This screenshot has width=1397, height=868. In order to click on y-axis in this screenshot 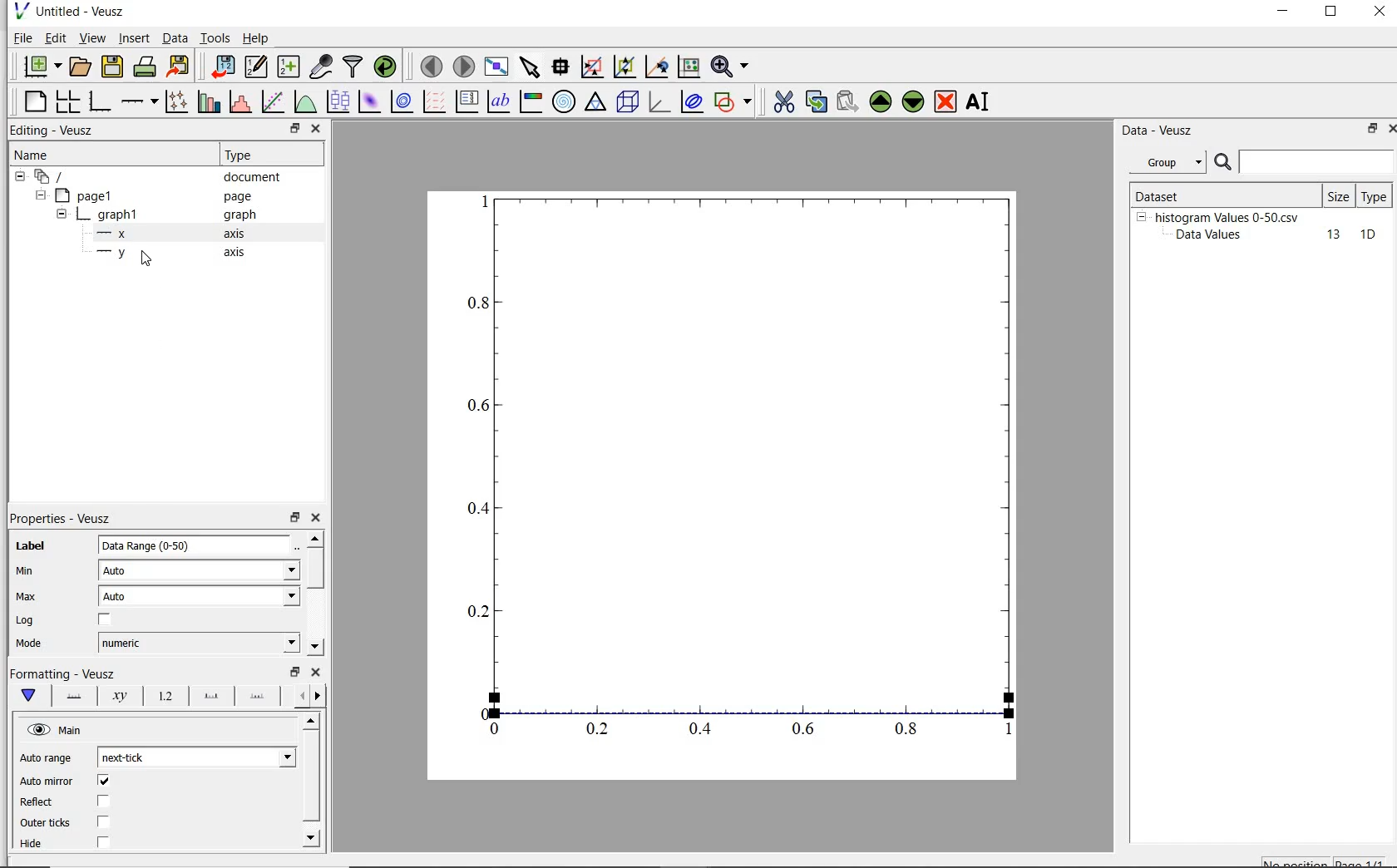, I will do `click(115, 253)`.